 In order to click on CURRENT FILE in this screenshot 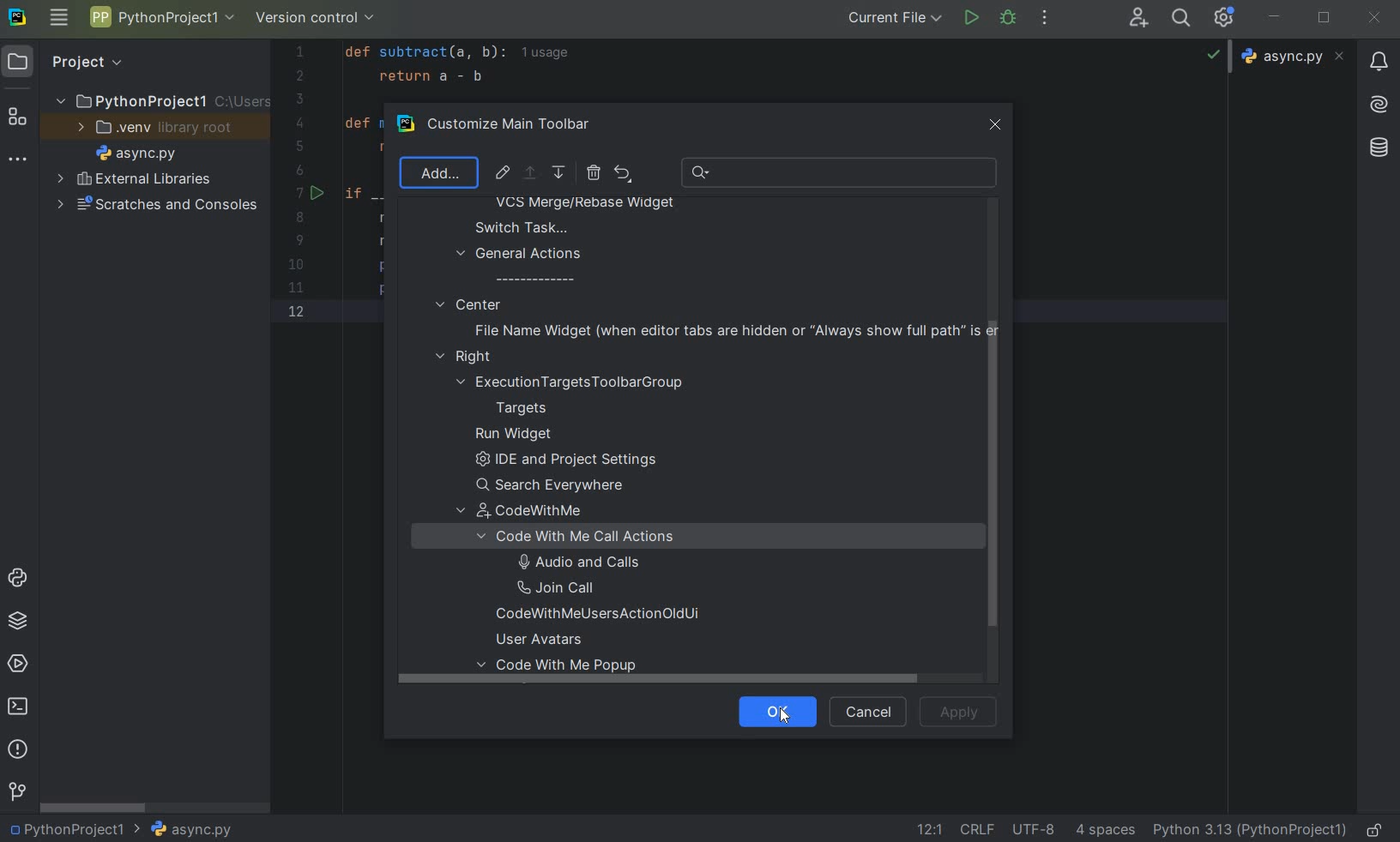, I will do `click(895, 17)`.